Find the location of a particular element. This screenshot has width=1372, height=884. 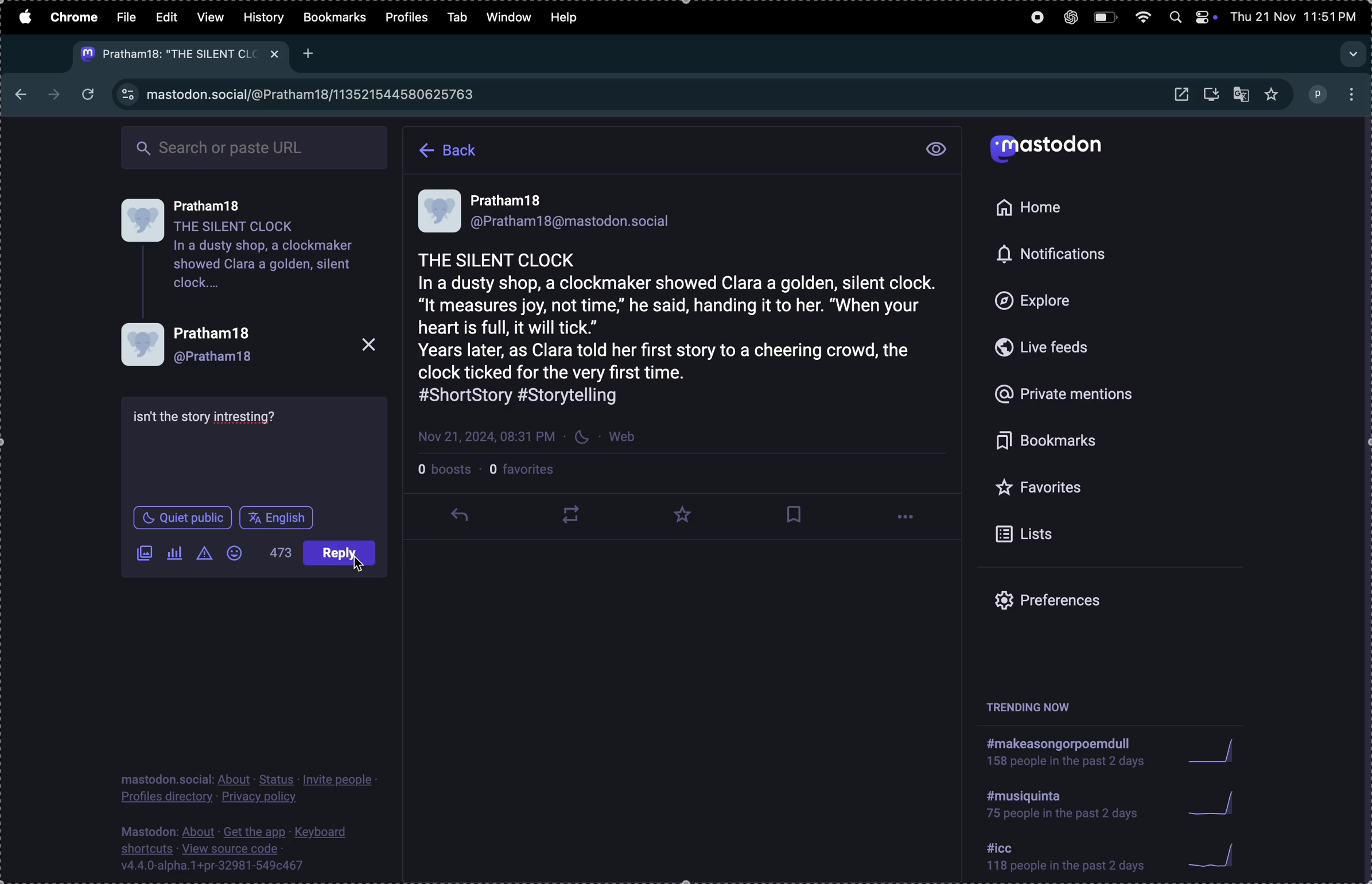

list is located at coordinates (1078, 534).